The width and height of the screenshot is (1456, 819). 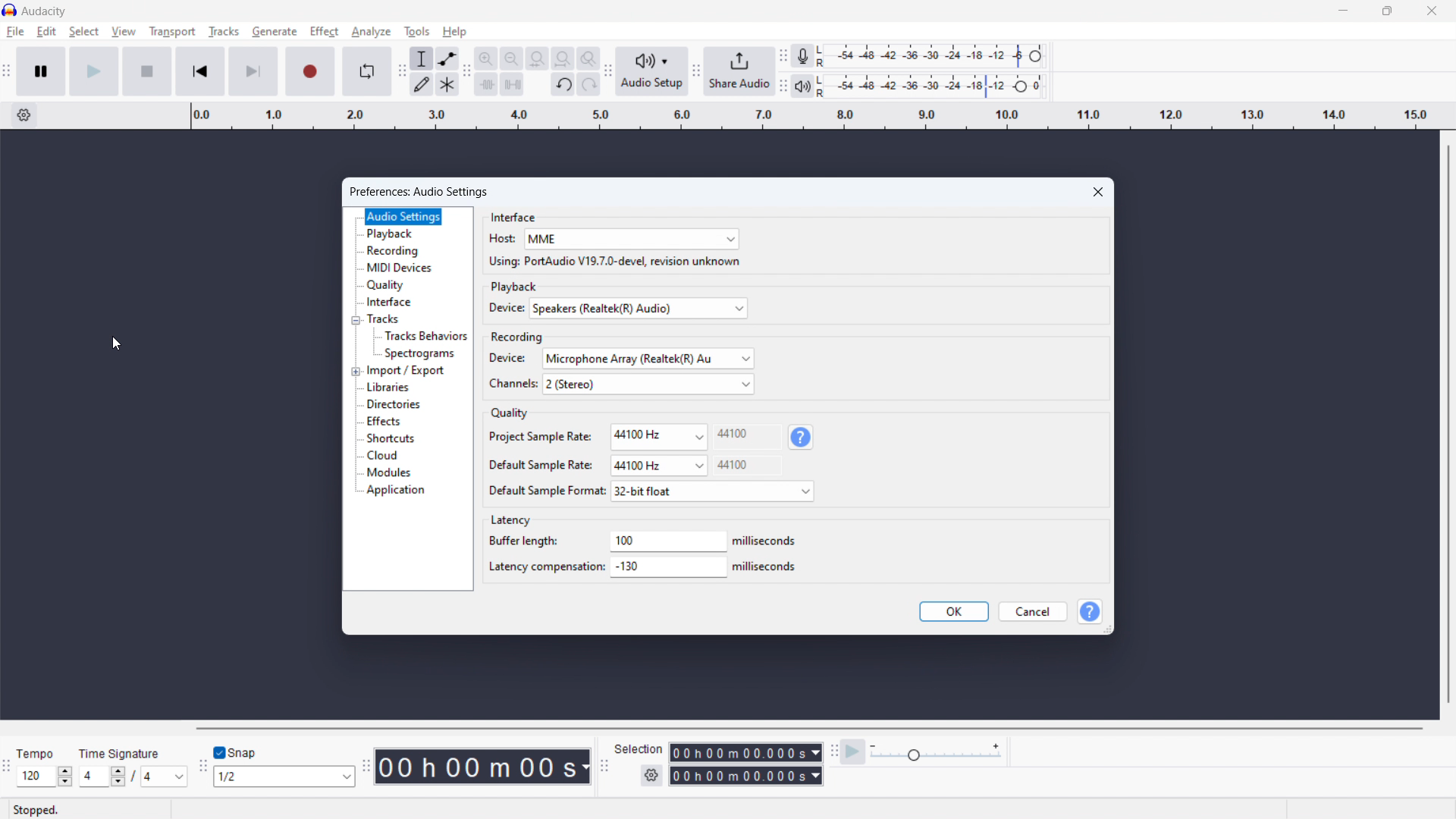 I want to click on share audio toolbar, so click(x=697, y=72).